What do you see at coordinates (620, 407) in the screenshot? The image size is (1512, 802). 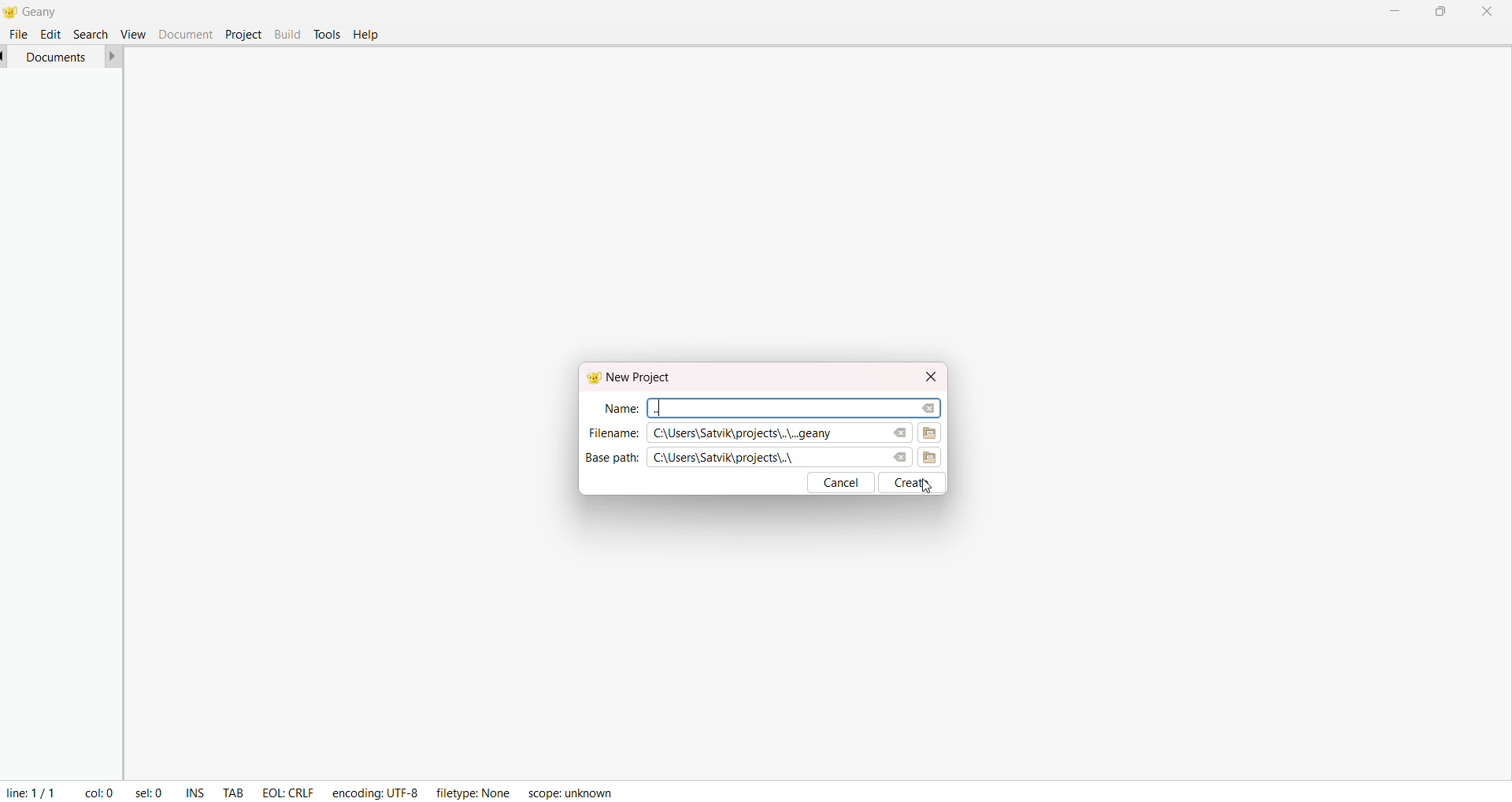 I see `name` at bounding box center [620, 407].